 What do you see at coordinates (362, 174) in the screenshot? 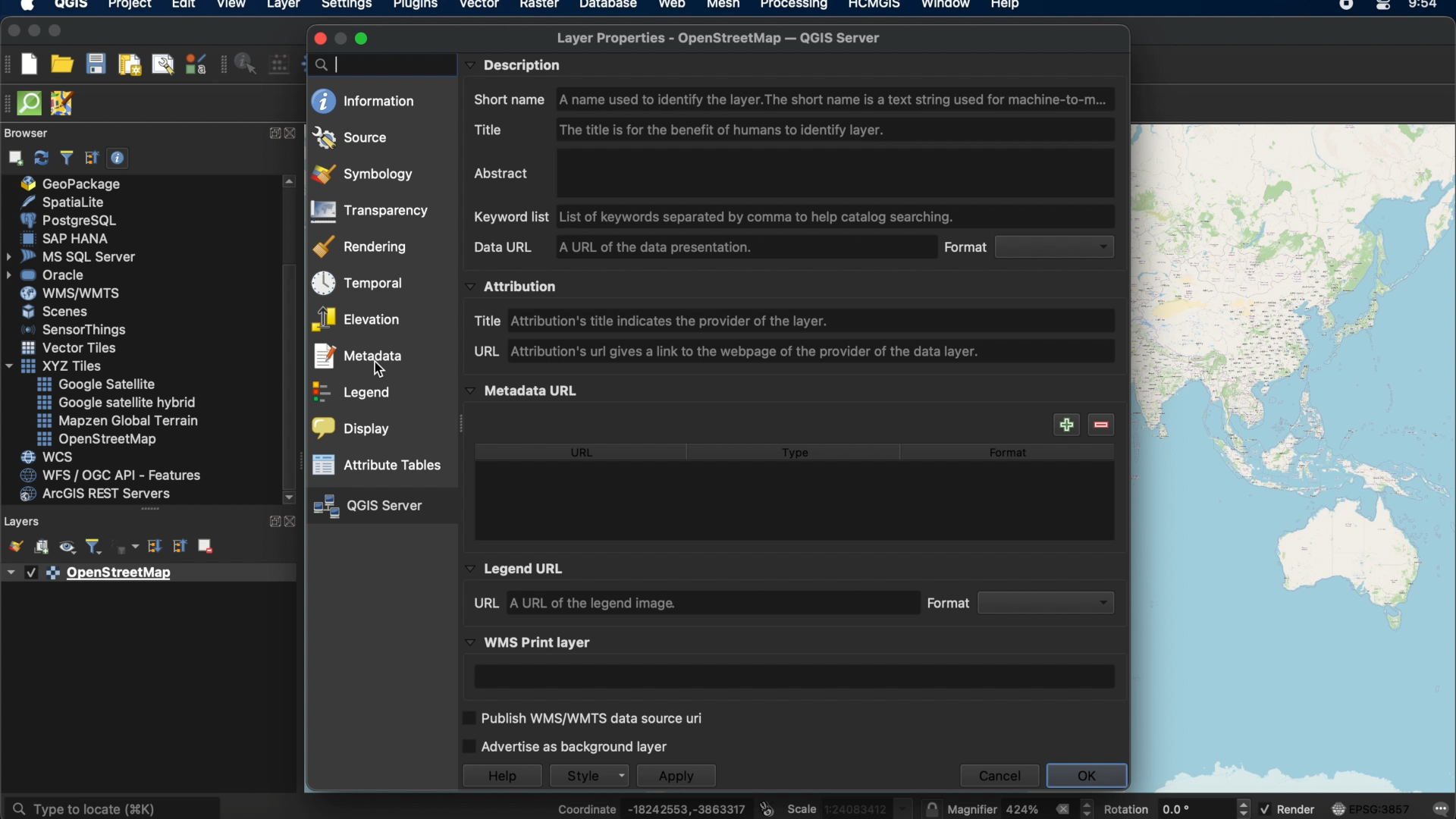
I see `symbology` at bounding box center [362, 174].